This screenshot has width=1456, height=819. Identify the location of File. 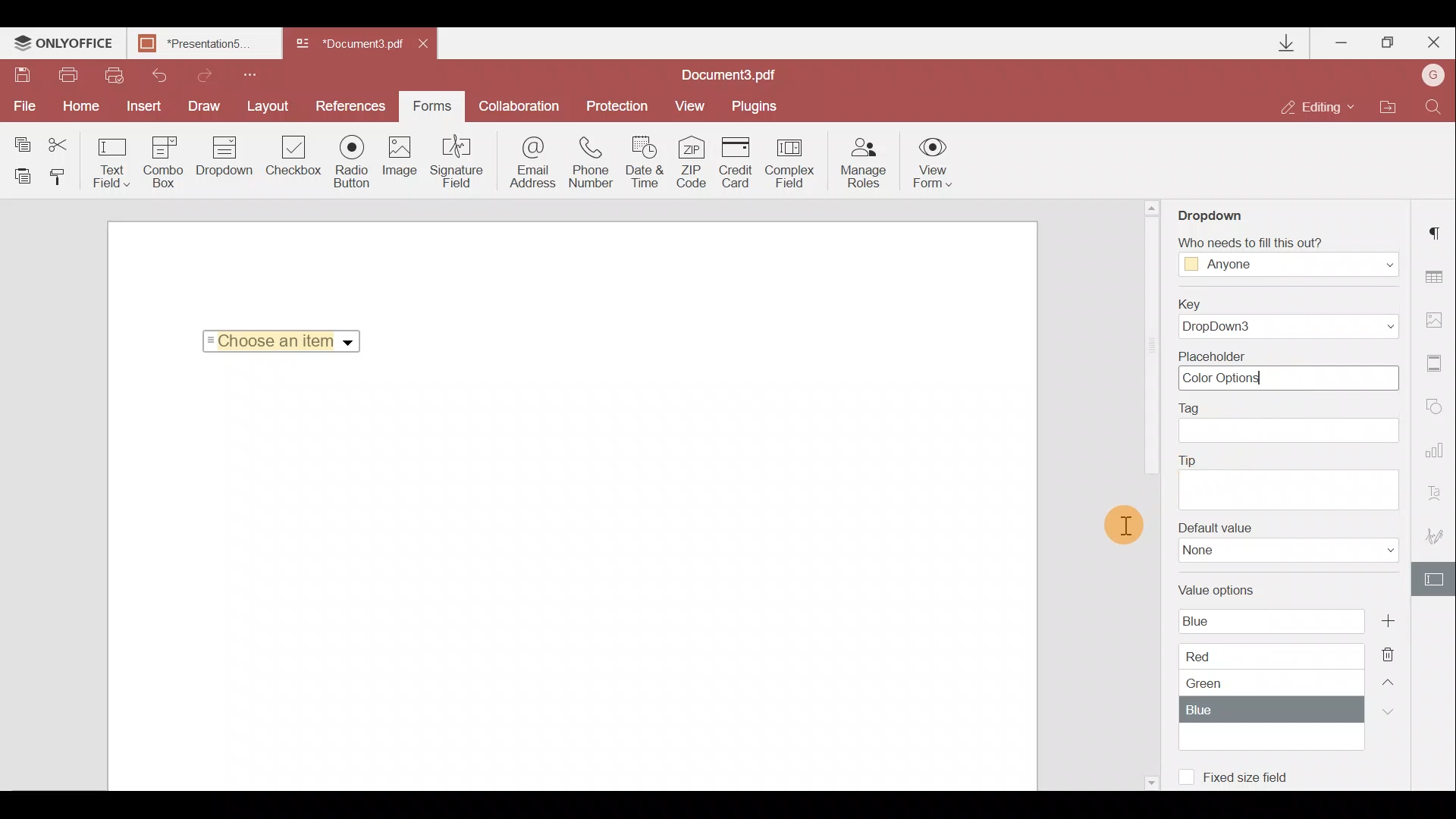
(26, 108).